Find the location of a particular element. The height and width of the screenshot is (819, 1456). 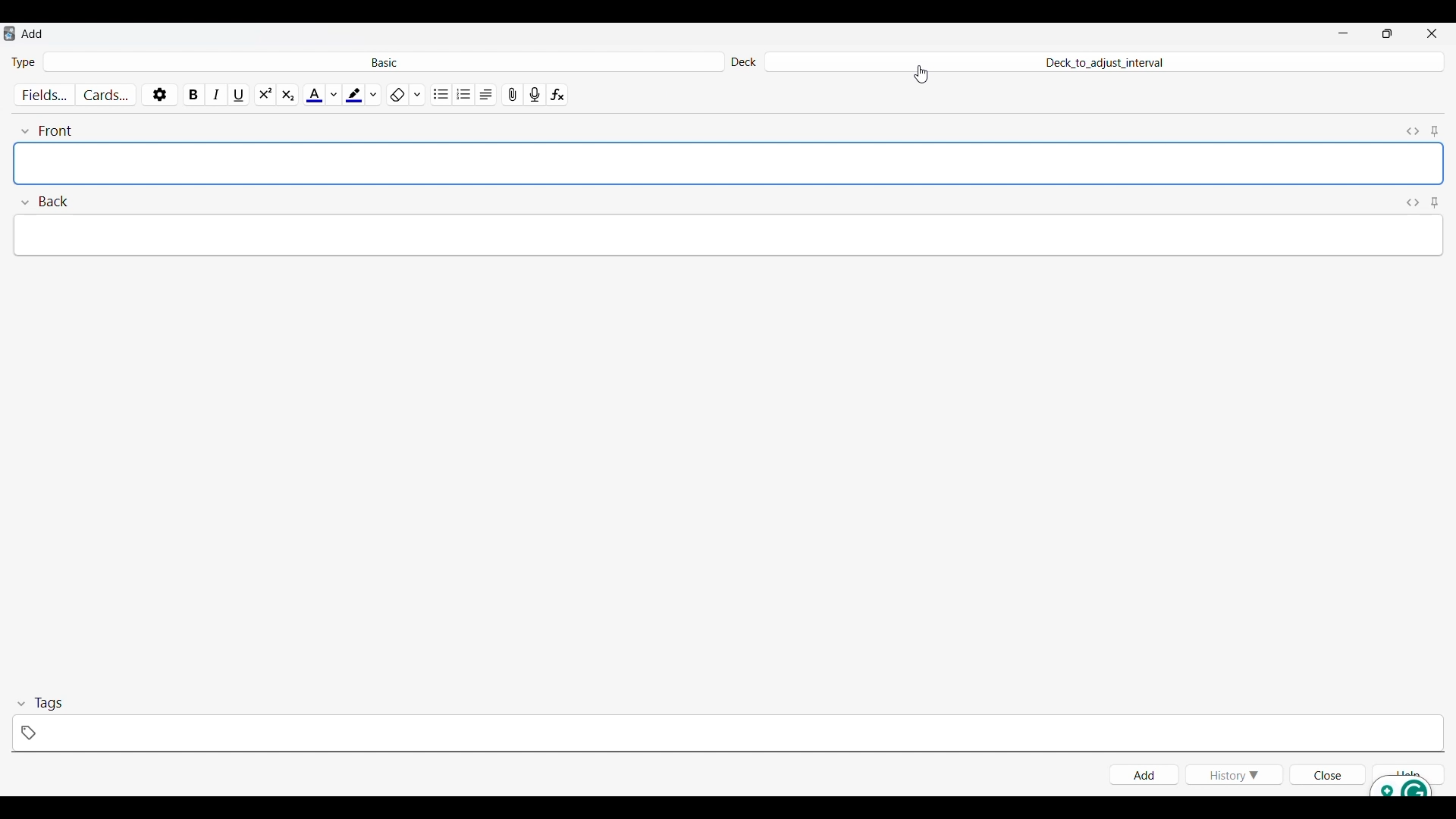

 is located at coordinates (1144, 776).